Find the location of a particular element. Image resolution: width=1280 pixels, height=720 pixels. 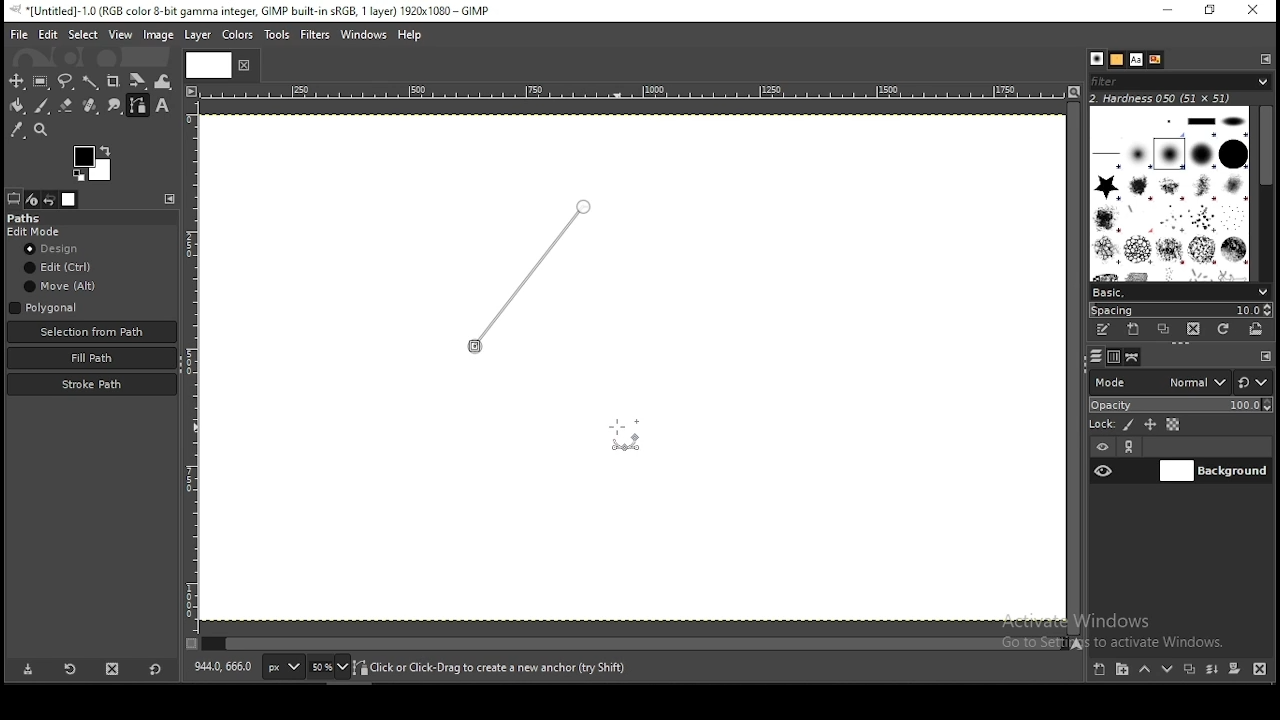

layer modes is located at coordinates (1159, 382).